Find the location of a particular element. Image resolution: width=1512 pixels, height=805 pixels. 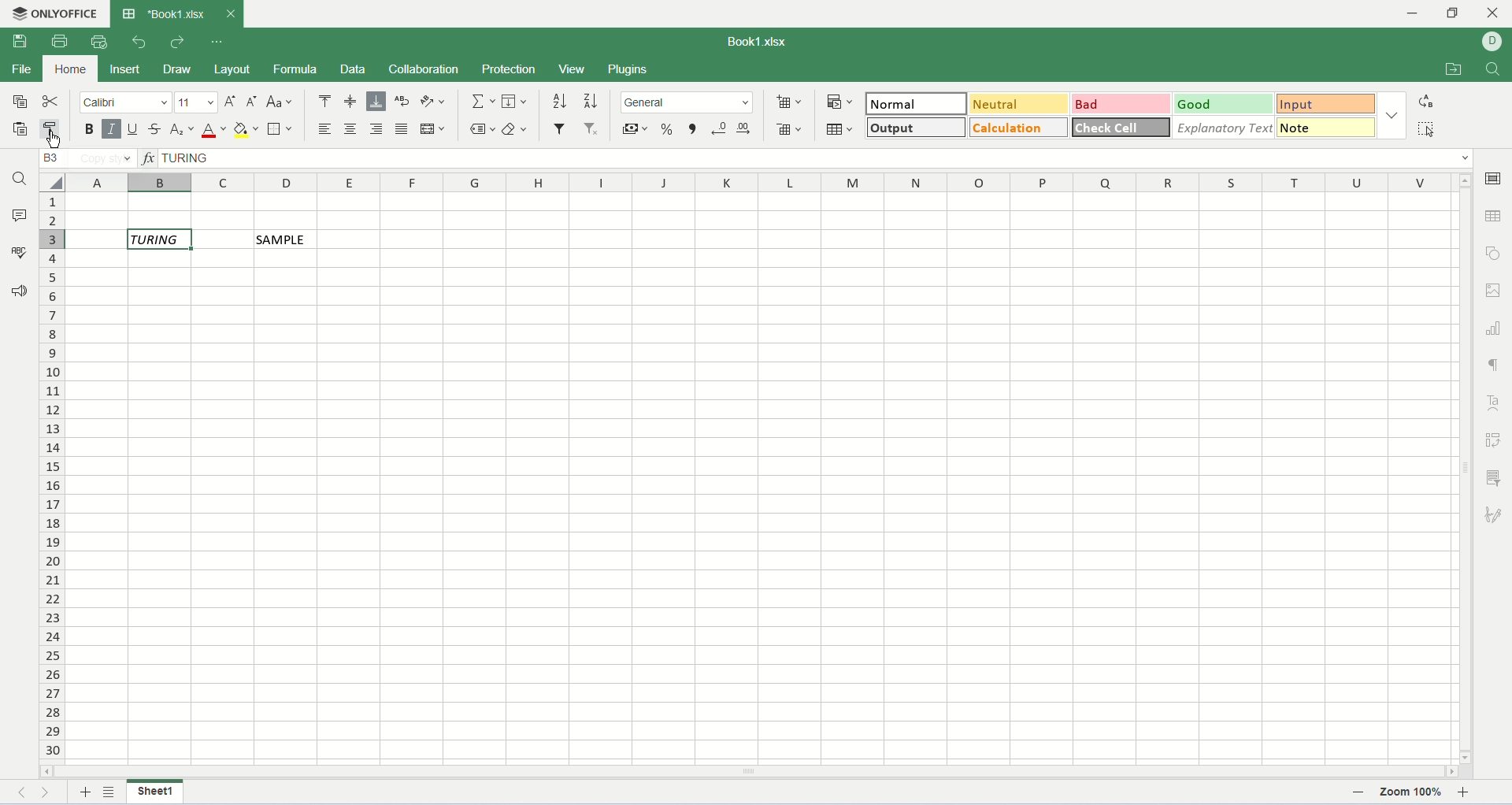

layout is located at coordinates (235, 72).